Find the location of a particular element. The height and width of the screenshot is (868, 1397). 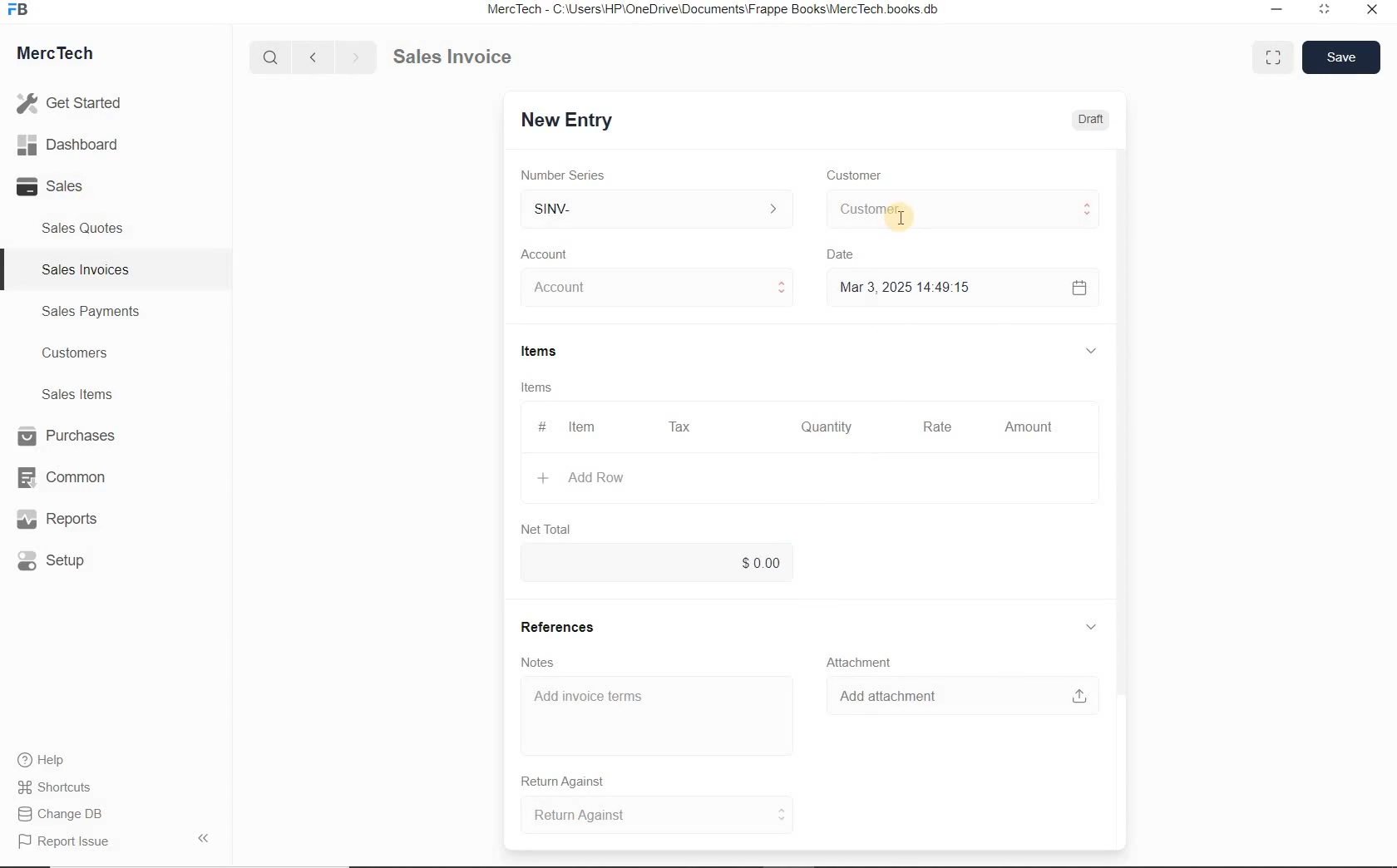

Go back is located at coordinates (315, 57).